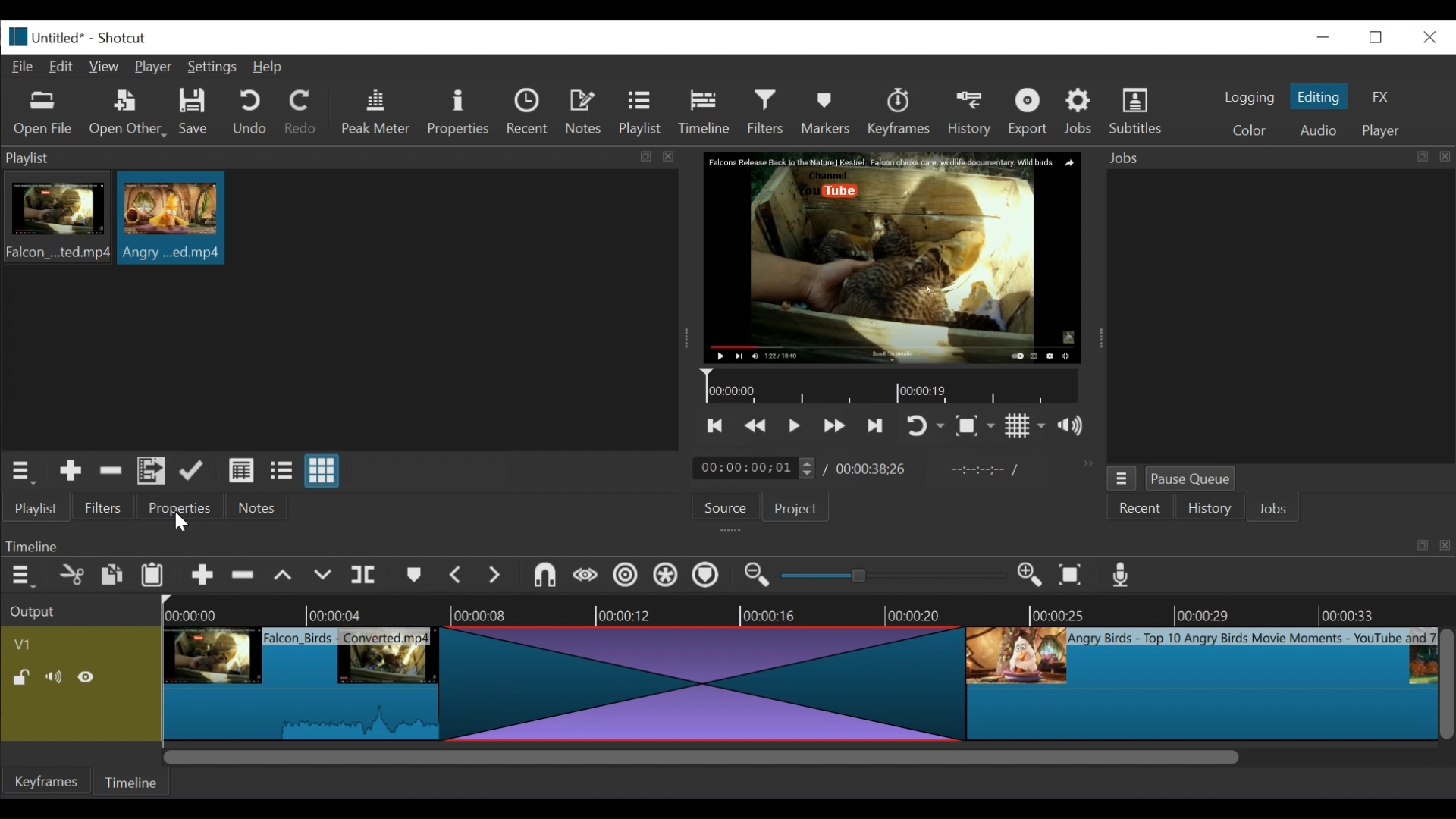  I want to click on transition, so click(708, 682).